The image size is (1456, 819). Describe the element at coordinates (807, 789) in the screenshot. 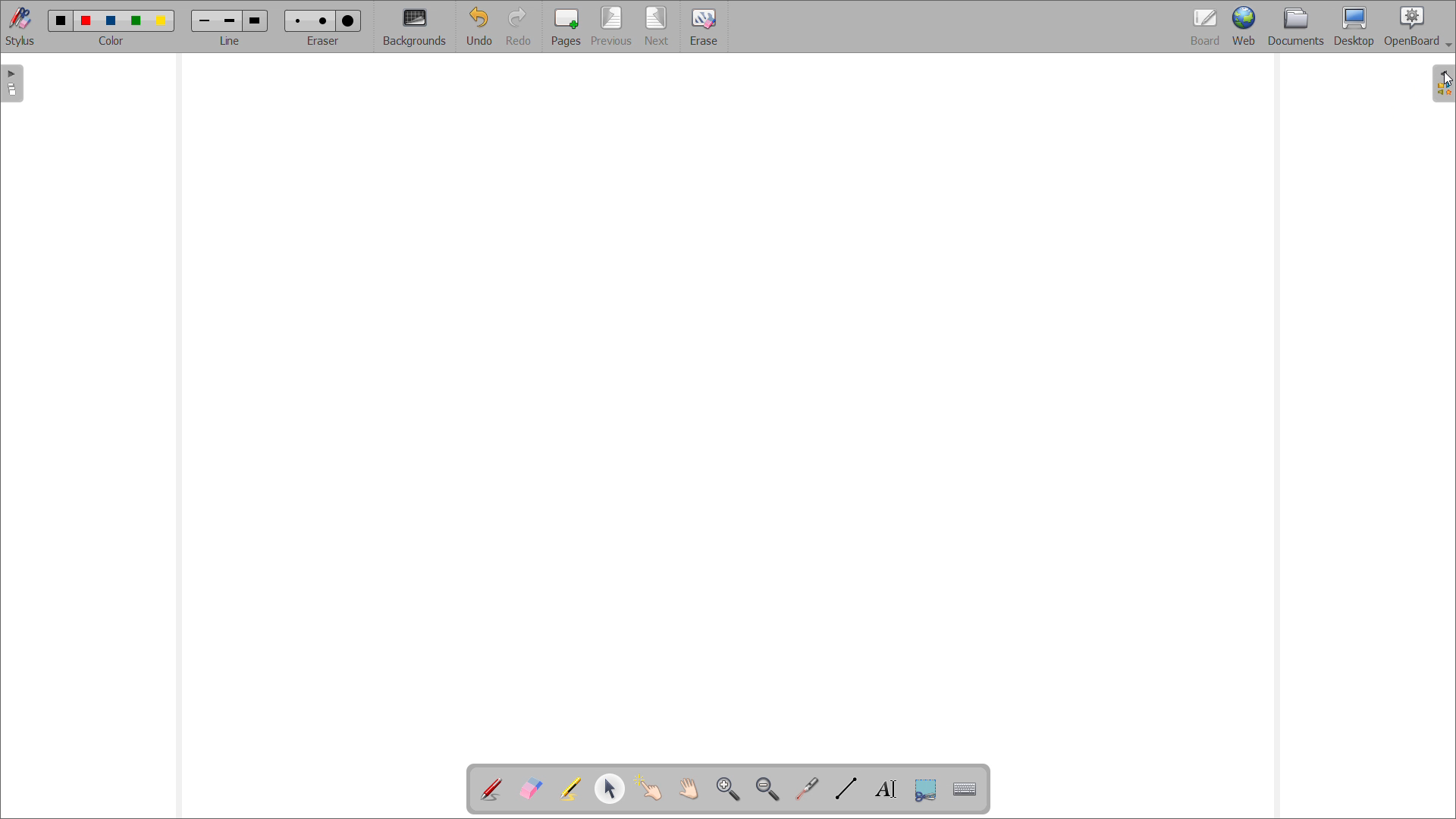

I see `virtual laser pointer` at that location.